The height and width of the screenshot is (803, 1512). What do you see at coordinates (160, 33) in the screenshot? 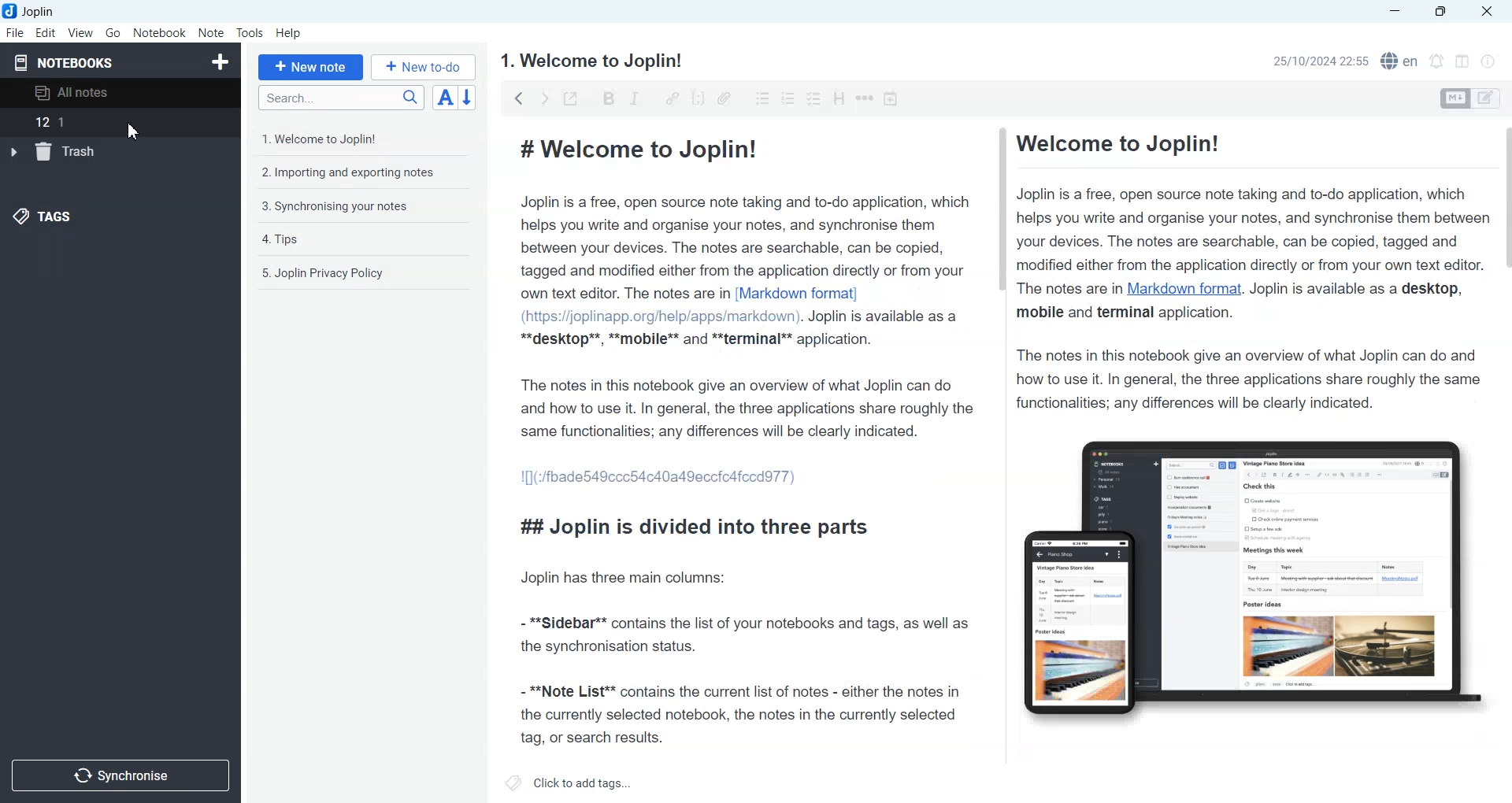
I see `Notebook` at bounding box center [160, 33].